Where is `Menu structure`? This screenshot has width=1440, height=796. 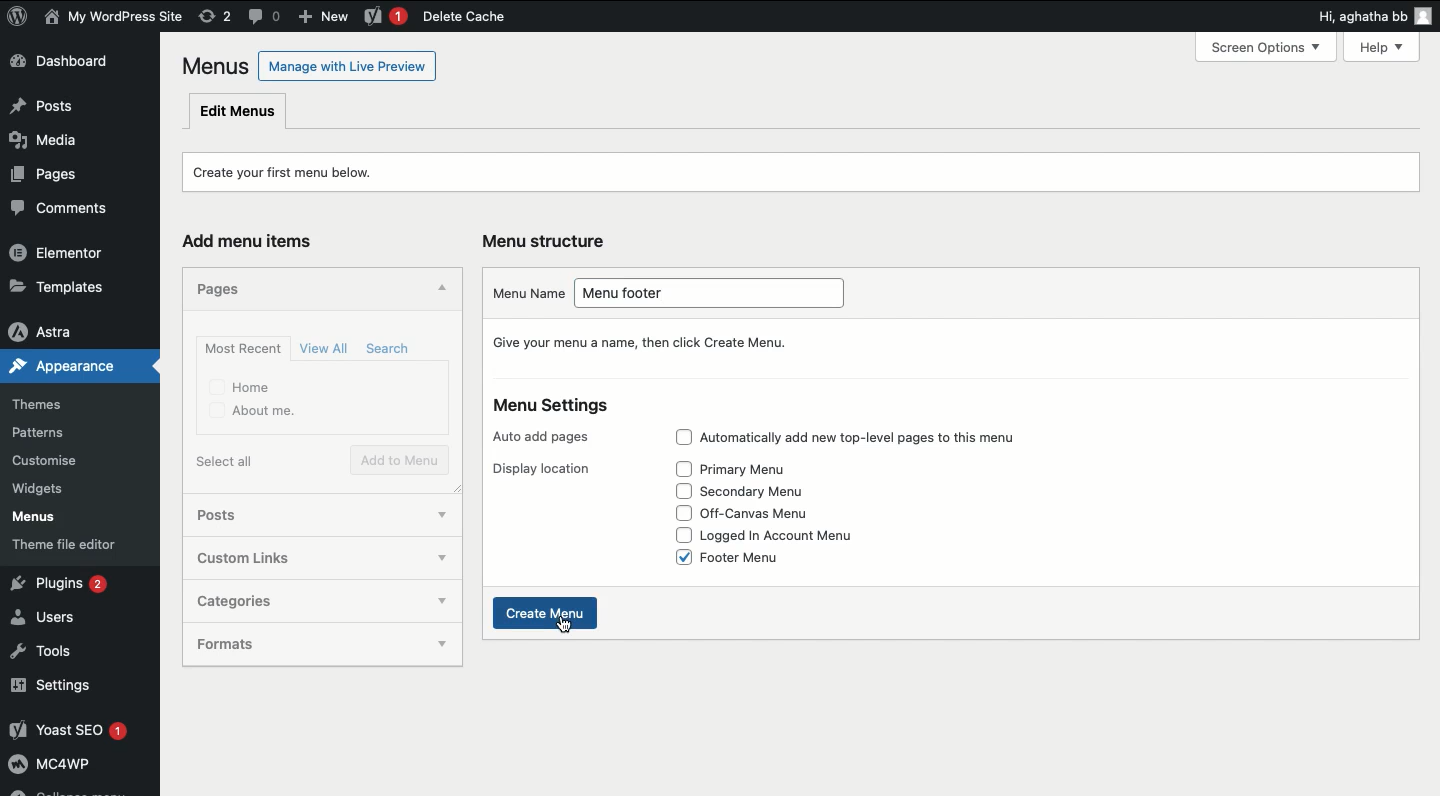
Menu structure is located at coordinates (548, 239).